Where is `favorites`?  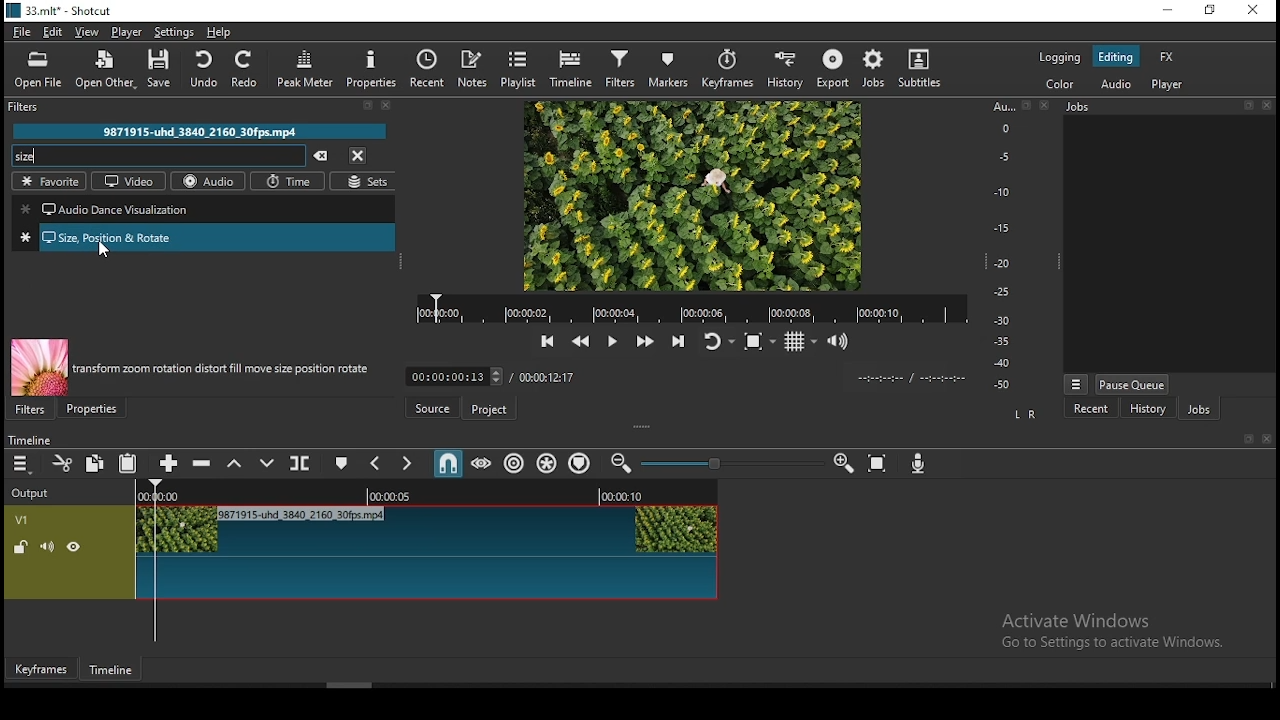 favorites is located at coordinates (47, 183).